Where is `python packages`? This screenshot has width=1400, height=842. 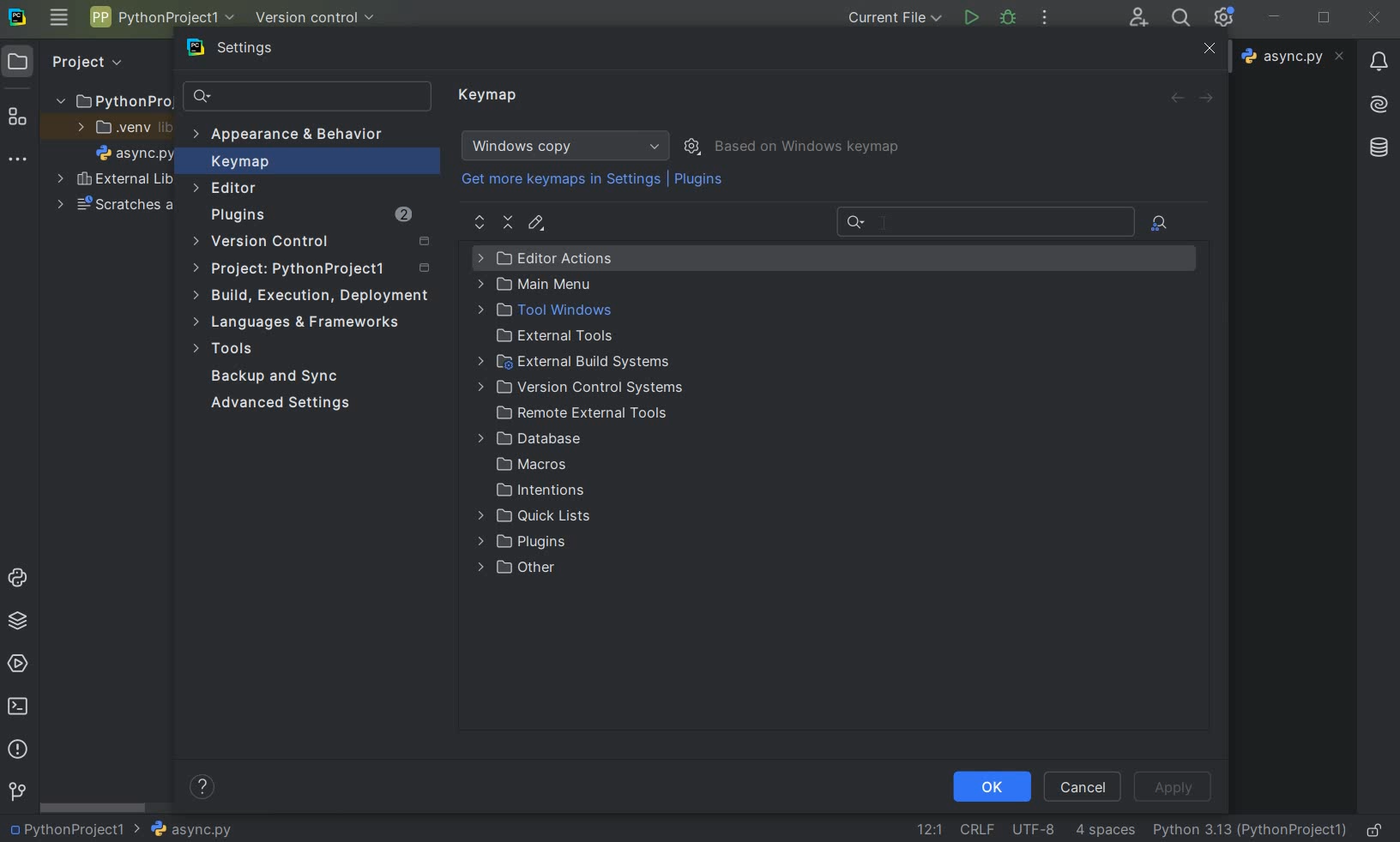
python packages is located at coordinates (21, 621).